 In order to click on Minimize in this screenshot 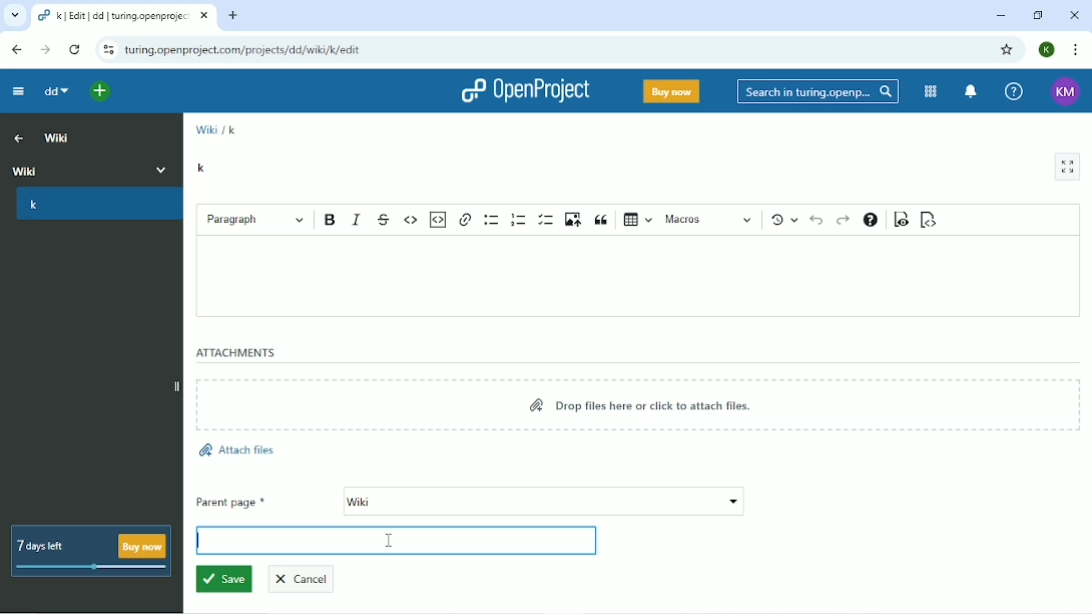, I will do `click(999, 15)`.